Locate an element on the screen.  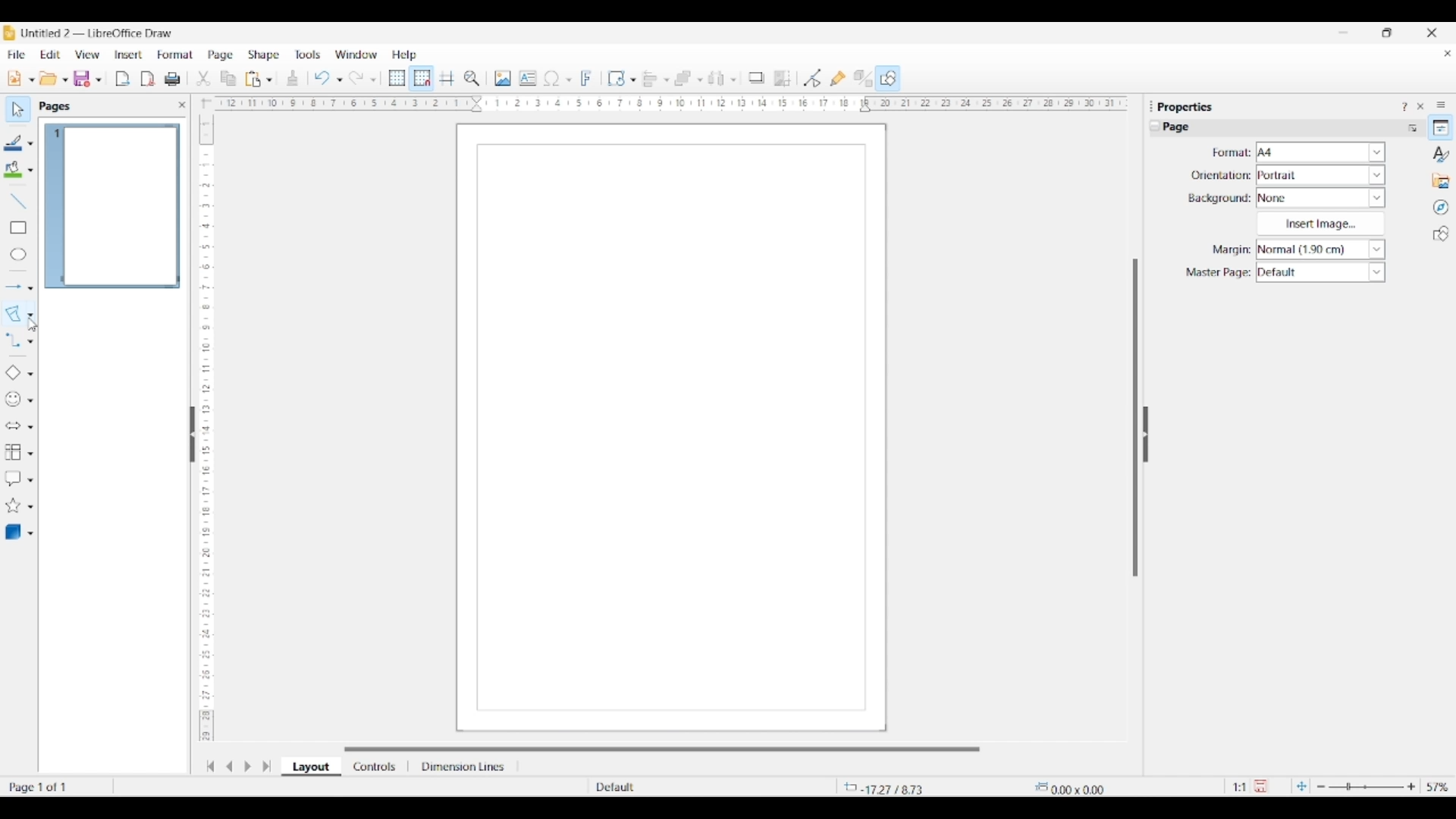
Close sidebar deck is located at coordinates (1420, 106).